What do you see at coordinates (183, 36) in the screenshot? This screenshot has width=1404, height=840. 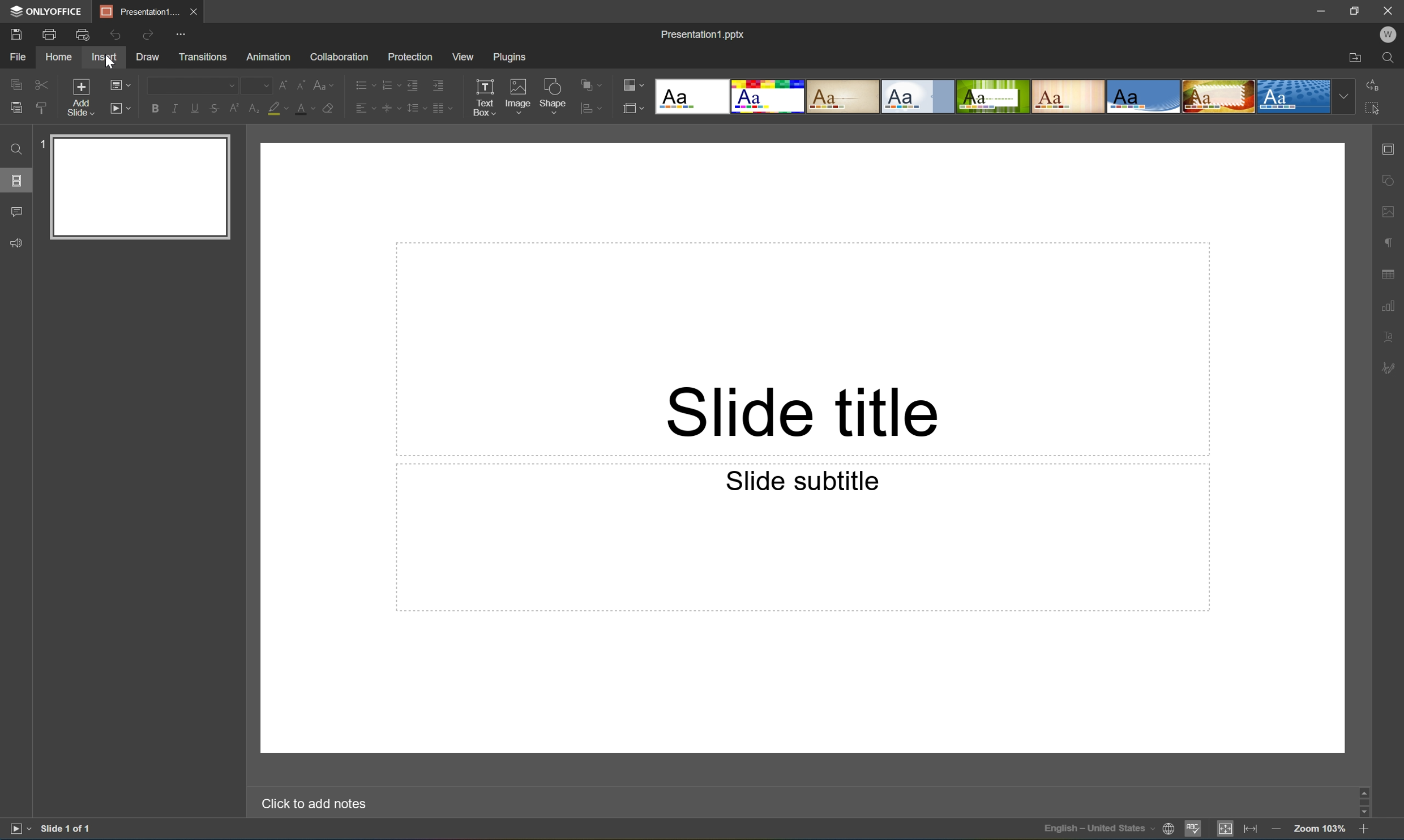 I see `Customize quick access toolbar` at bounding box center [183, 36].